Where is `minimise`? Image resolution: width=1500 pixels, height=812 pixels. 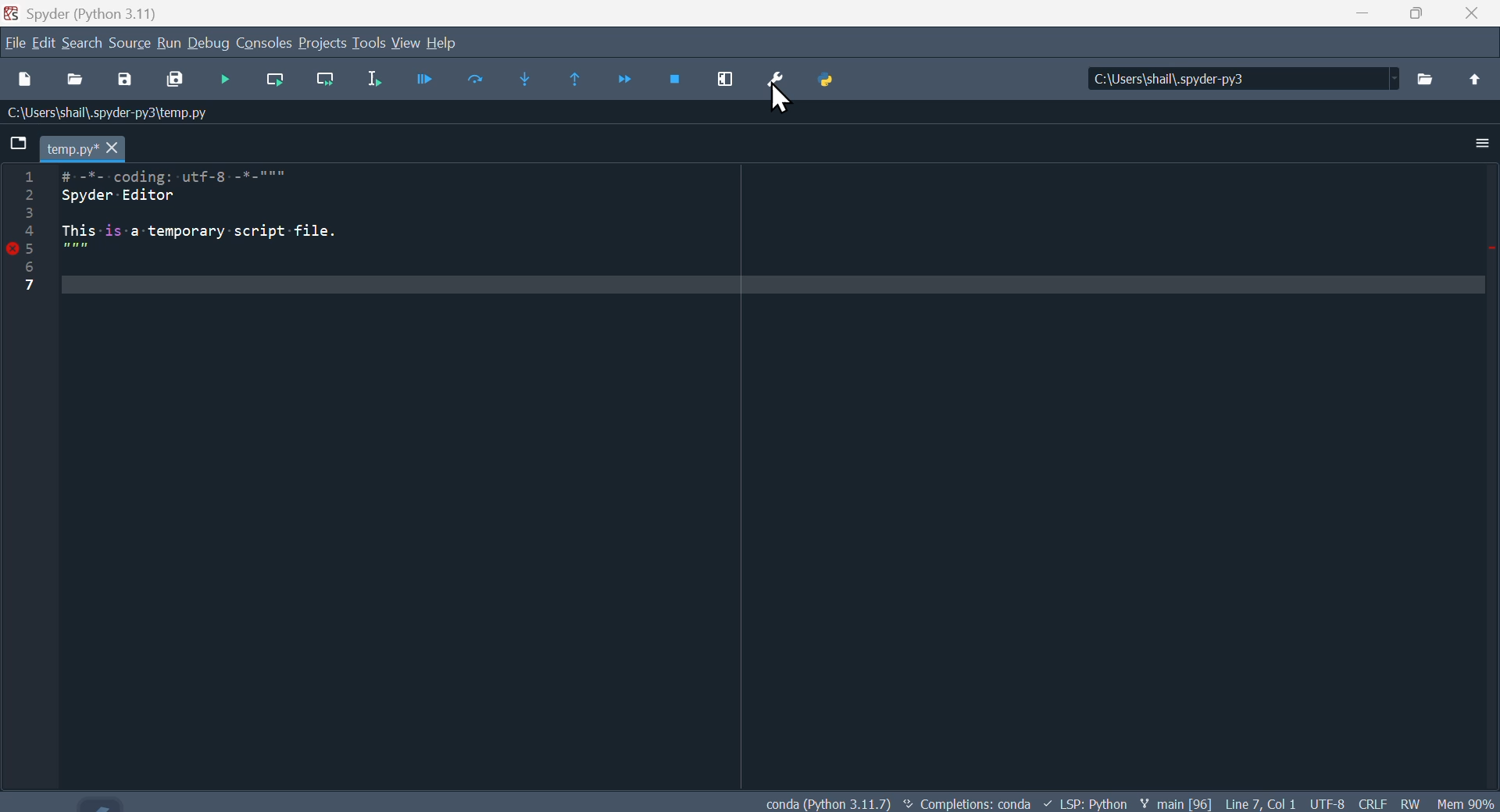
minimise is located at coordinates (1371, 18).